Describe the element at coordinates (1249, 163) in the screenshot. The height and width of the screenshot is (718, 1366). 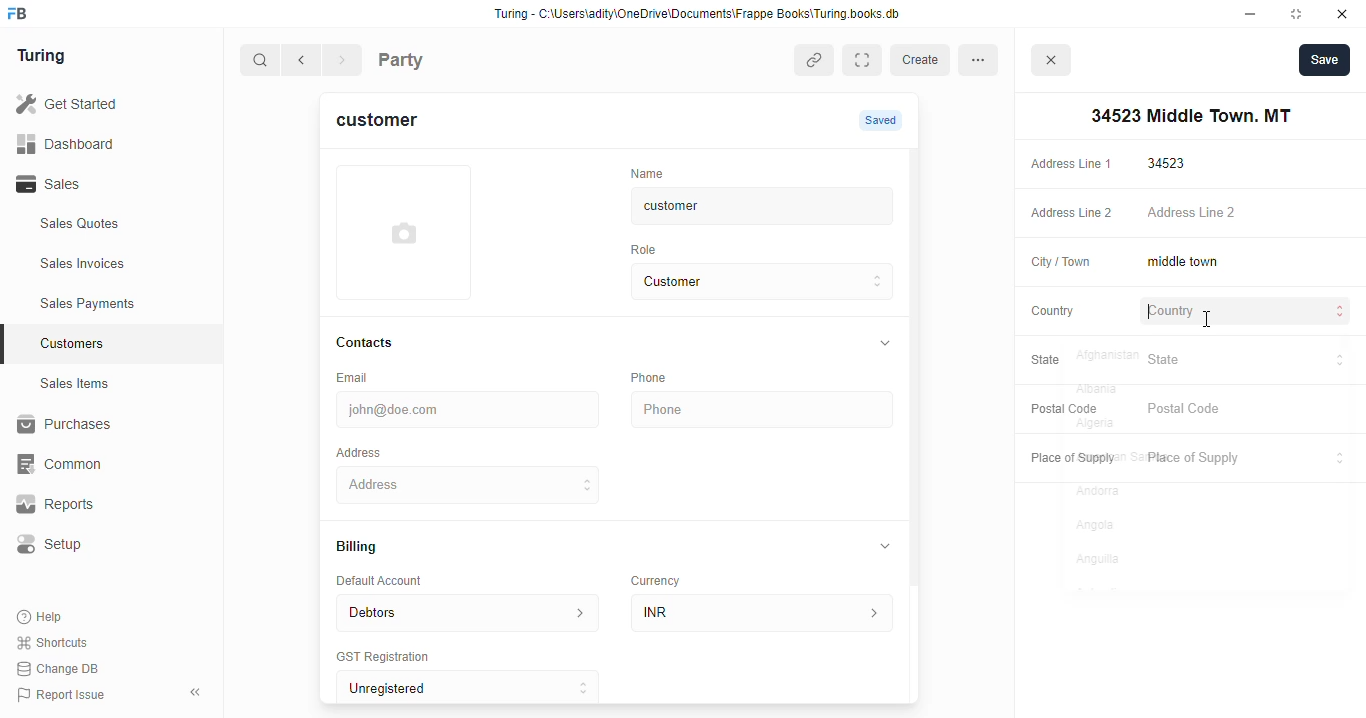
I see `34523` at that location.